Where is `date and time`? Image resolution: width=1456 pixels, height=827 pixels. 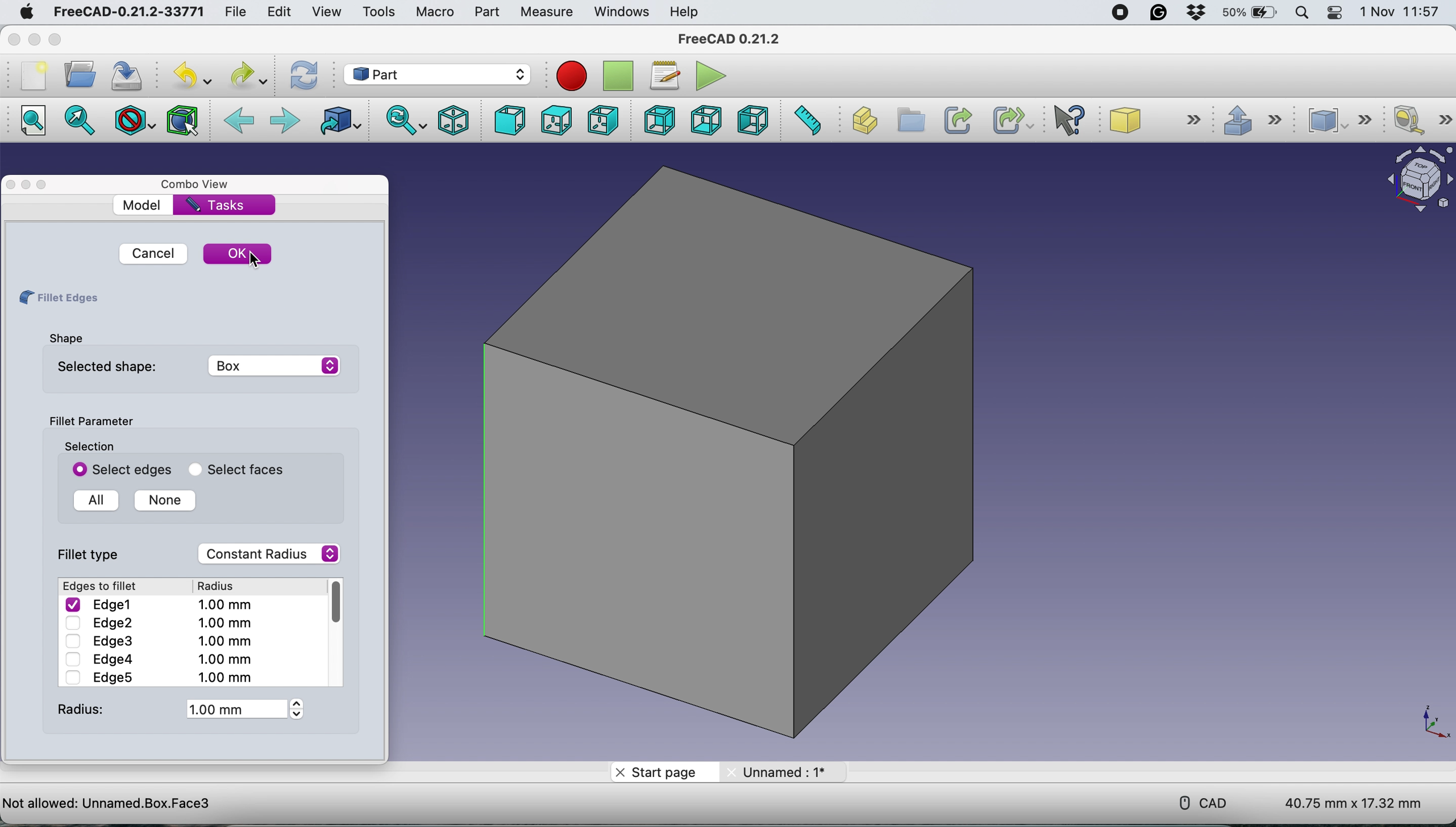 date and time is located at coordinates (1401, 12).